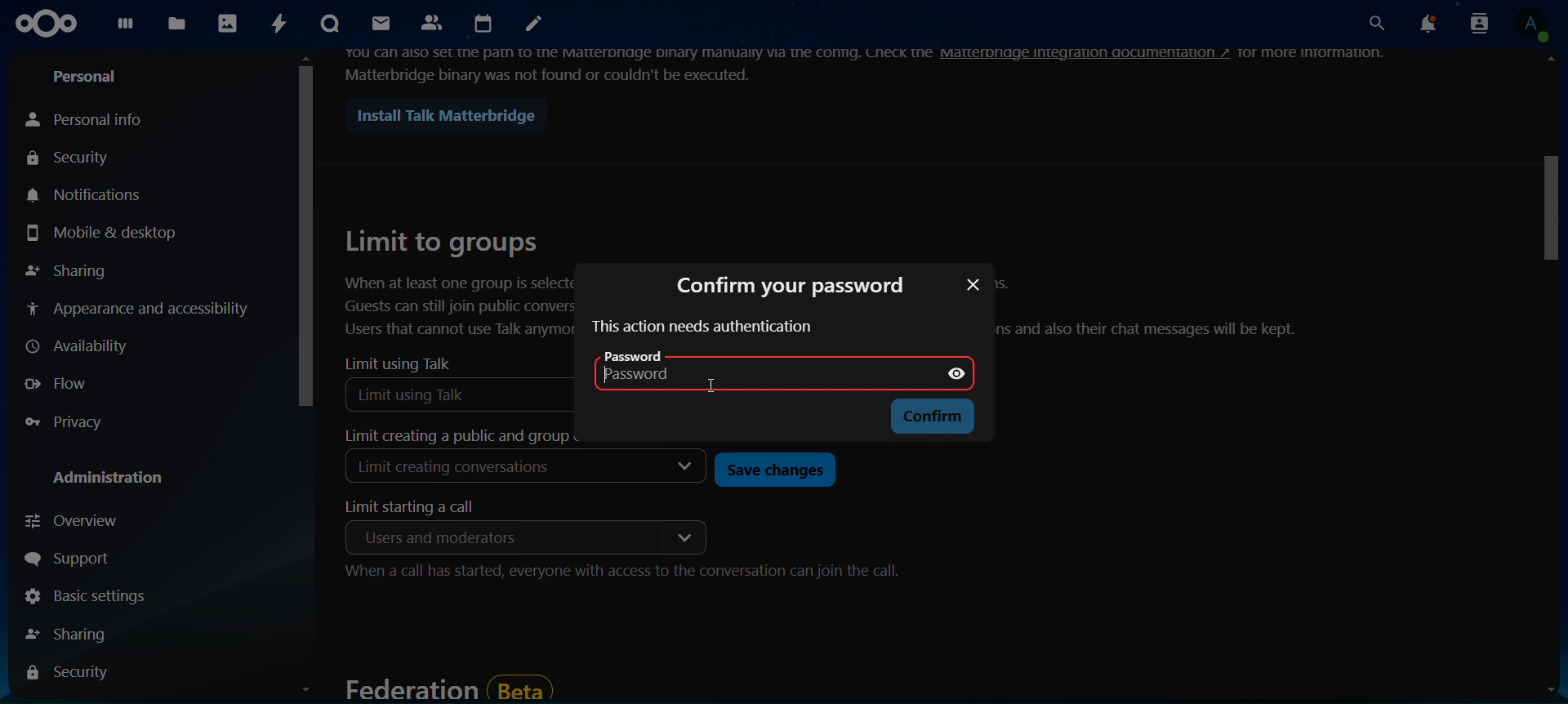 This screenshot has height=704, width=1568. Describe the element at coordinates (786, 283) in the screenshot. I see `confirm password` at that location.